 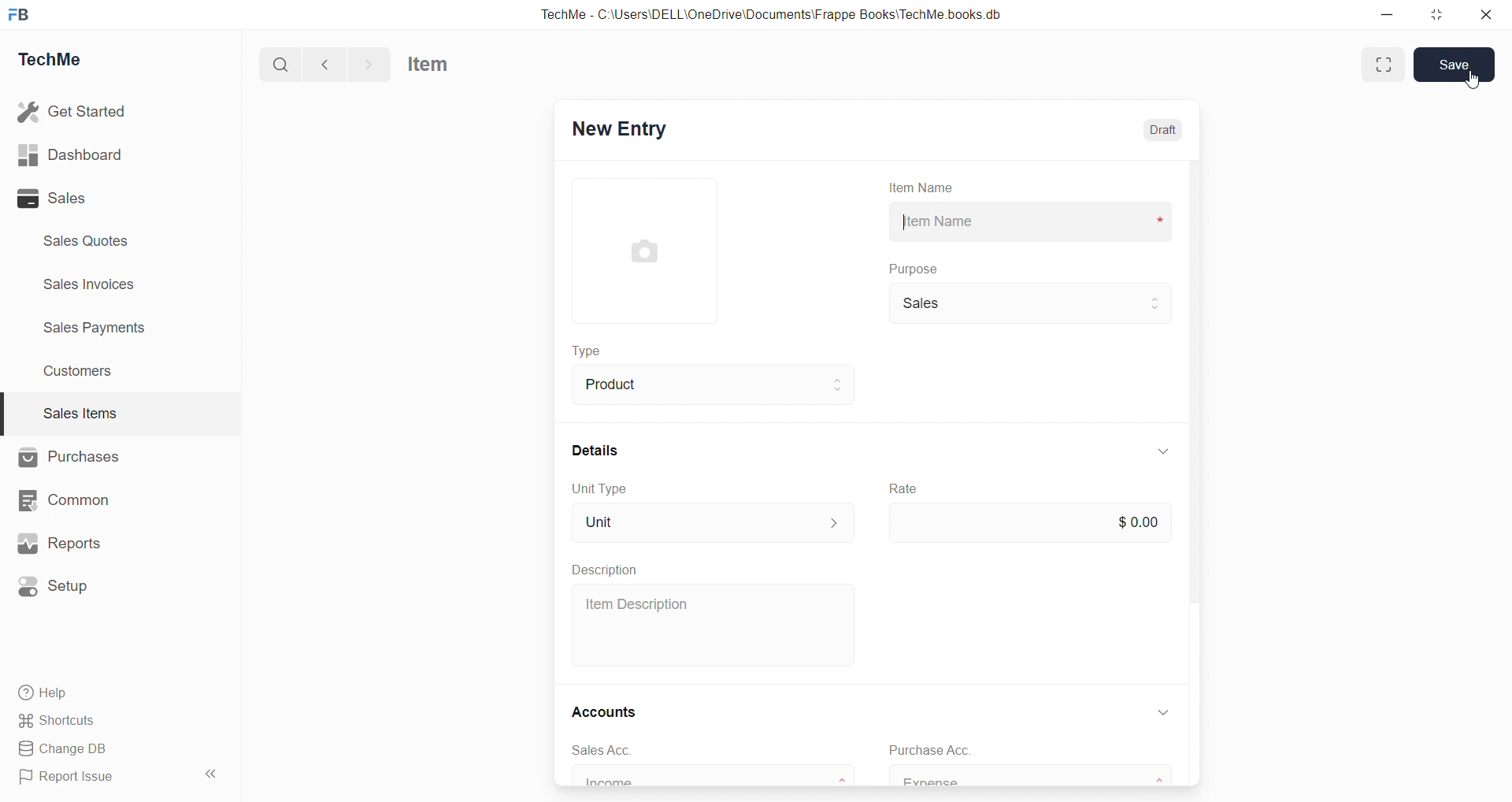 I want to click on Purchases, so click(x=70, y=458).